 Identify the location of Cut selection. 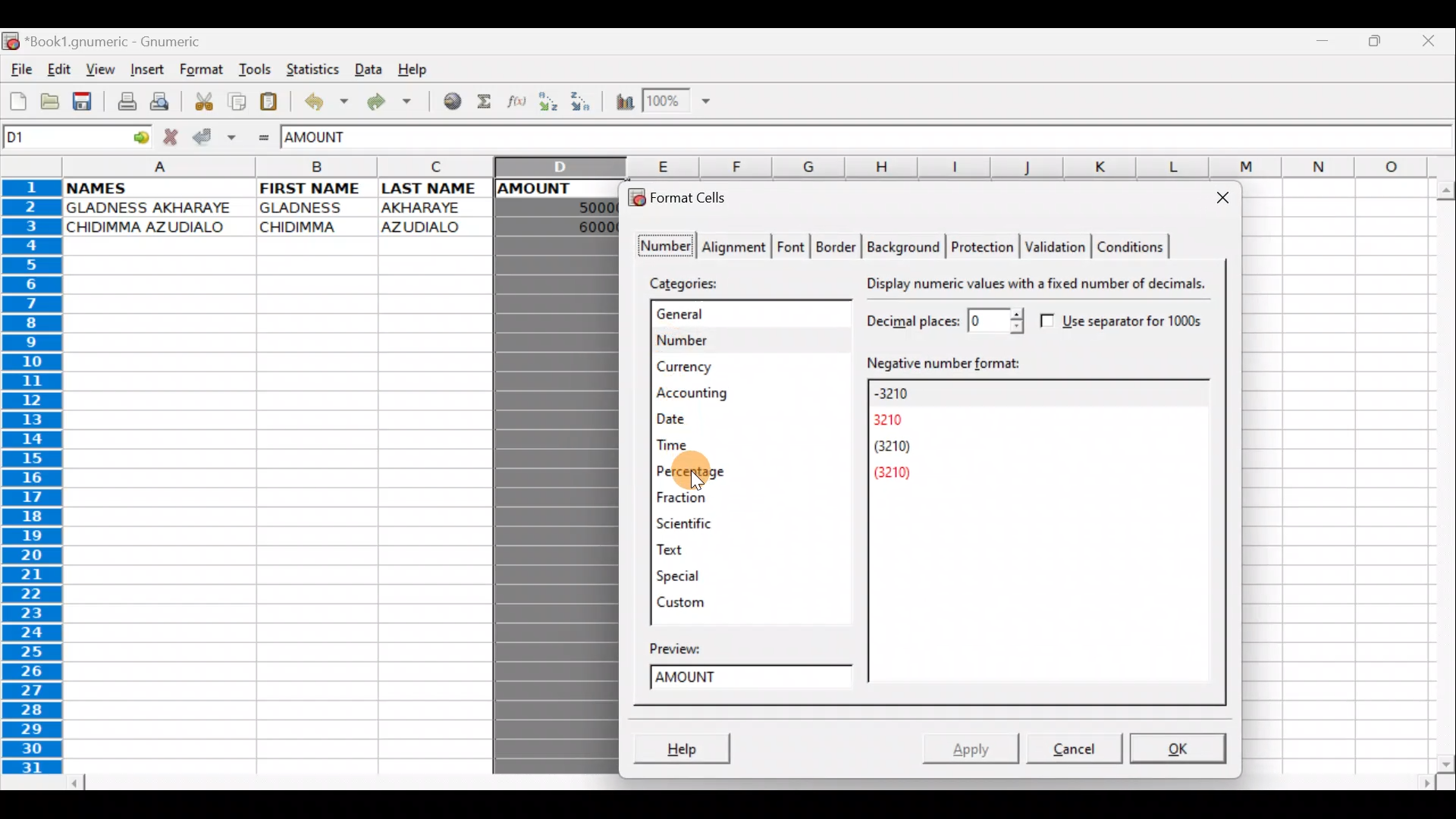
(200, 101).